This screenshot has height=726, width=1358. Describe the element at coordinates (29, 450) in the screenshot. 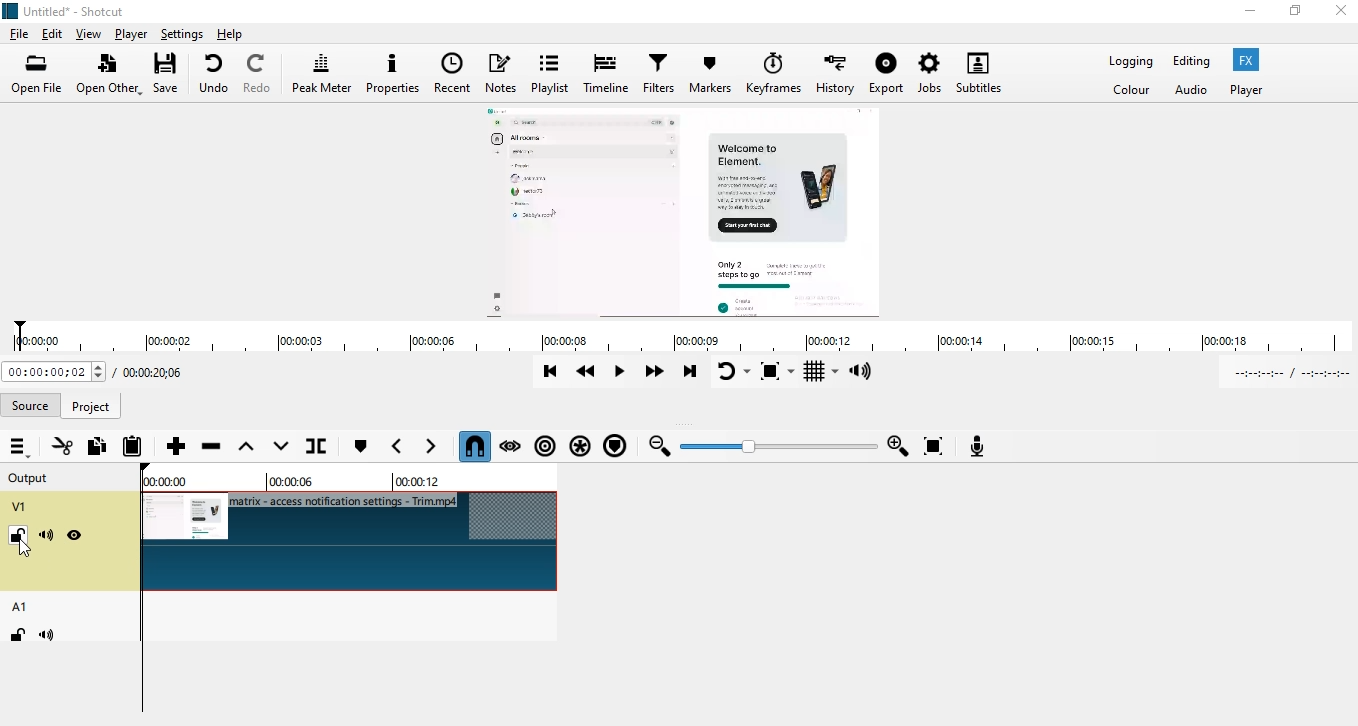

I see `` at that location.